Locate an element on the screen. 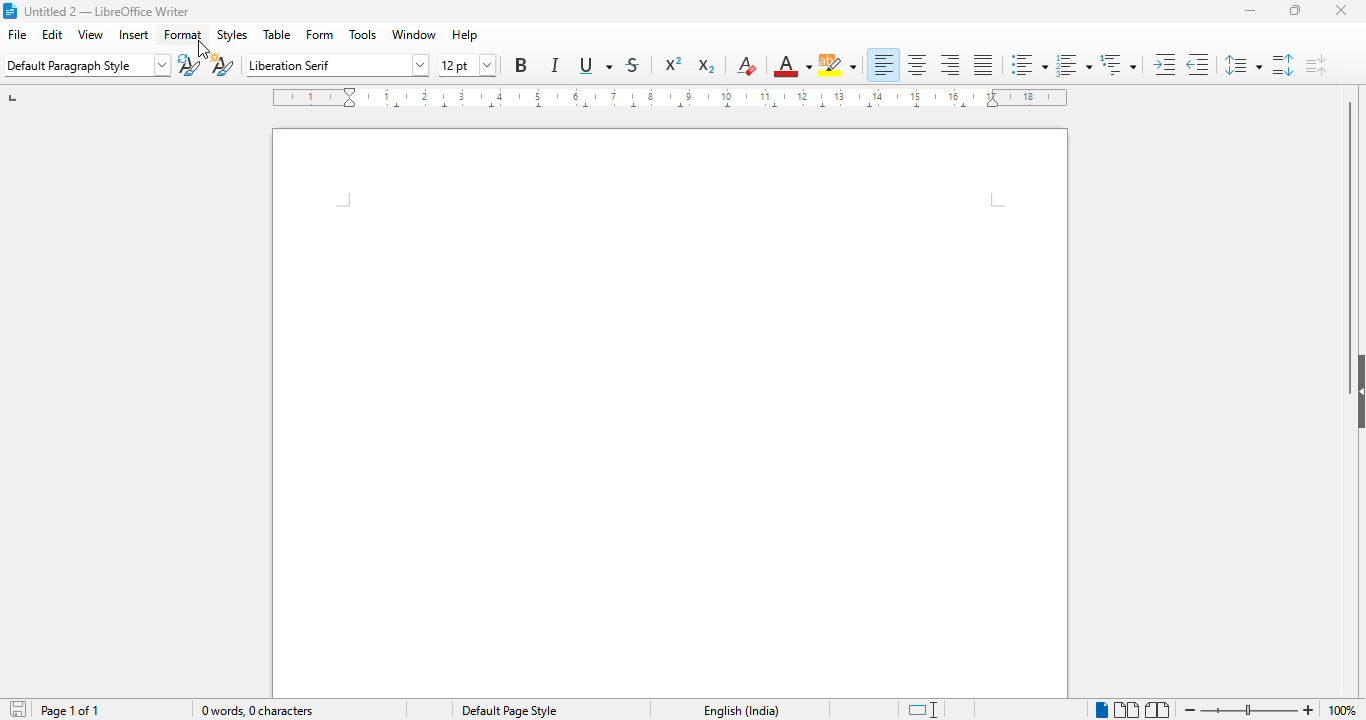  insert is located at coordinates (134, 34).